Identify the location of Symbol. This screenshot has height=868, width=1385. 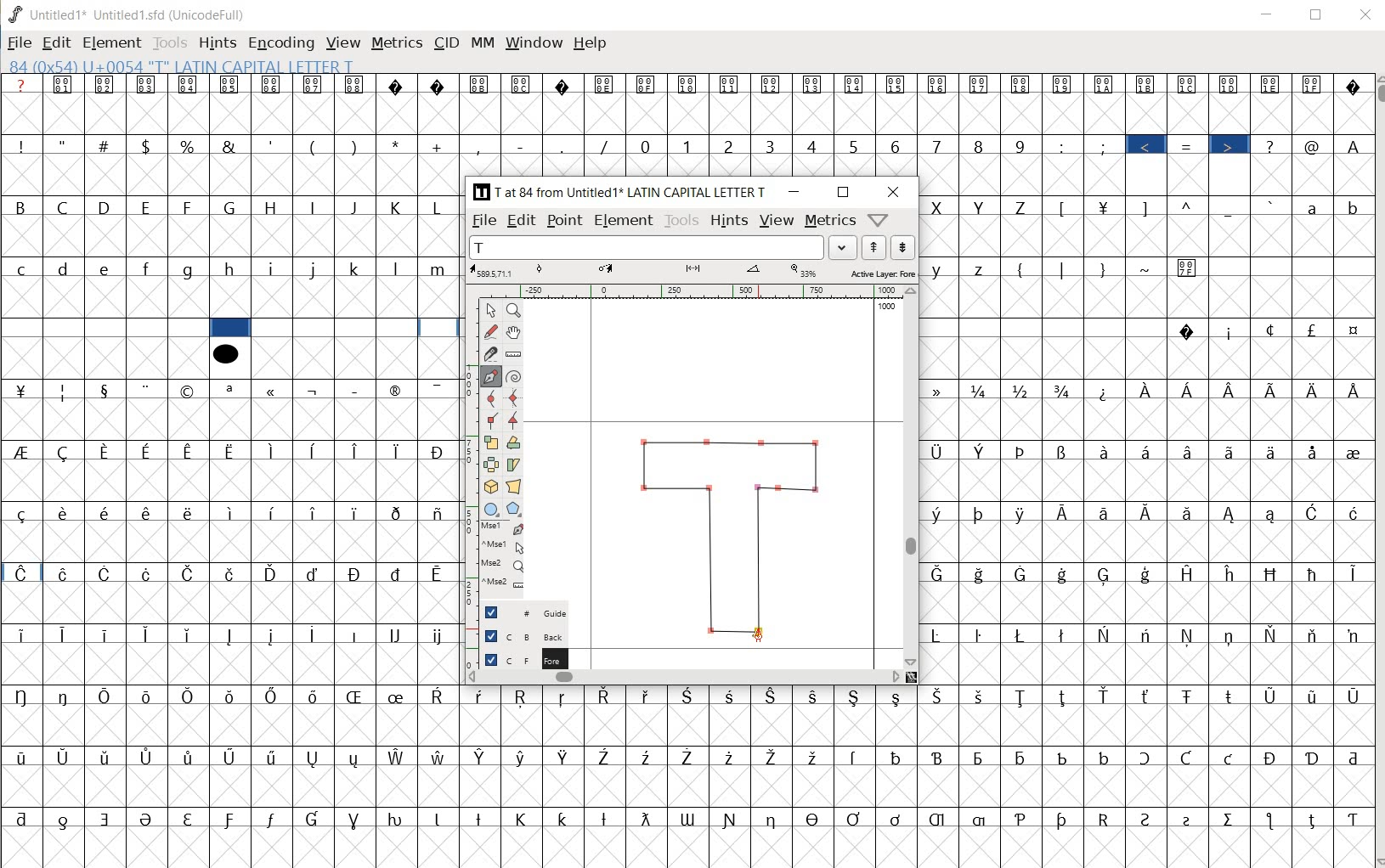
(21, 451).